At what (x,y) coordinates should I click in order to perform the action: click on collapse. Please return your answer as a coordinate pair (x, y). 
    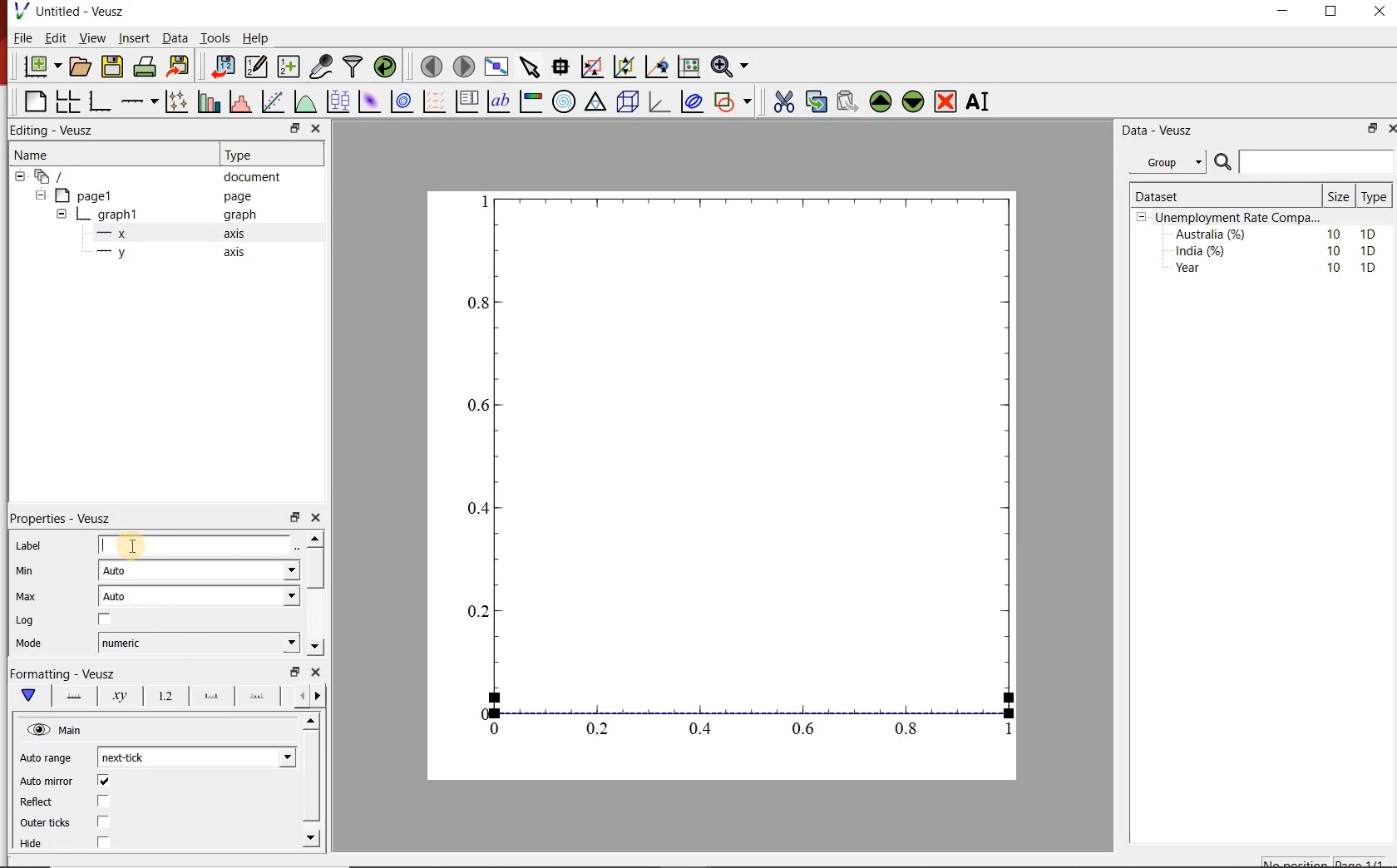
    Looking at the image, I should click on (61, 216).